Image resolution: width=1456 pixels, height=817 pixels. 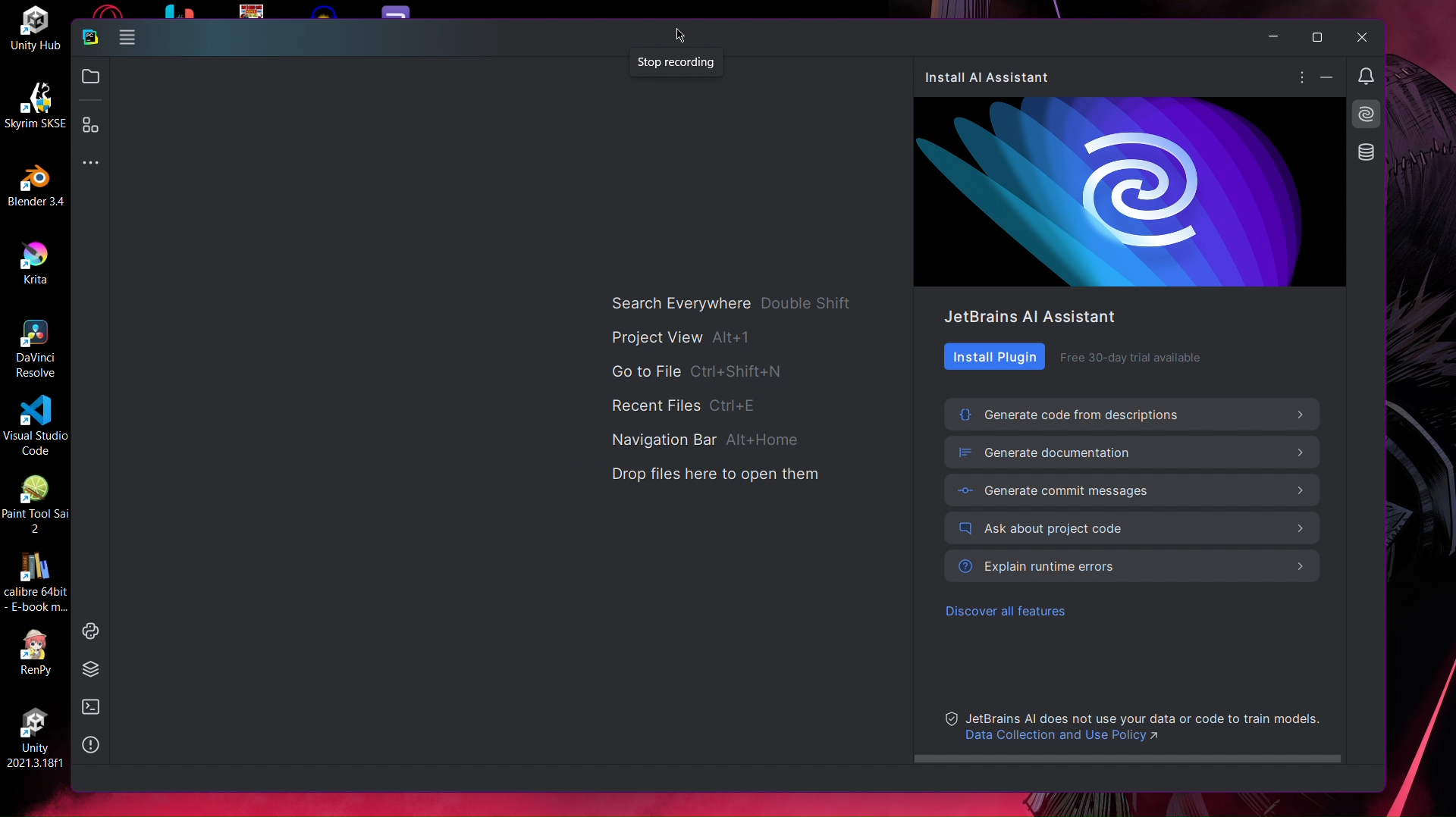 What do you see at coordinates (1366, 152) in the screenshot?
I see `Database` at bounding box center [1366, 152].